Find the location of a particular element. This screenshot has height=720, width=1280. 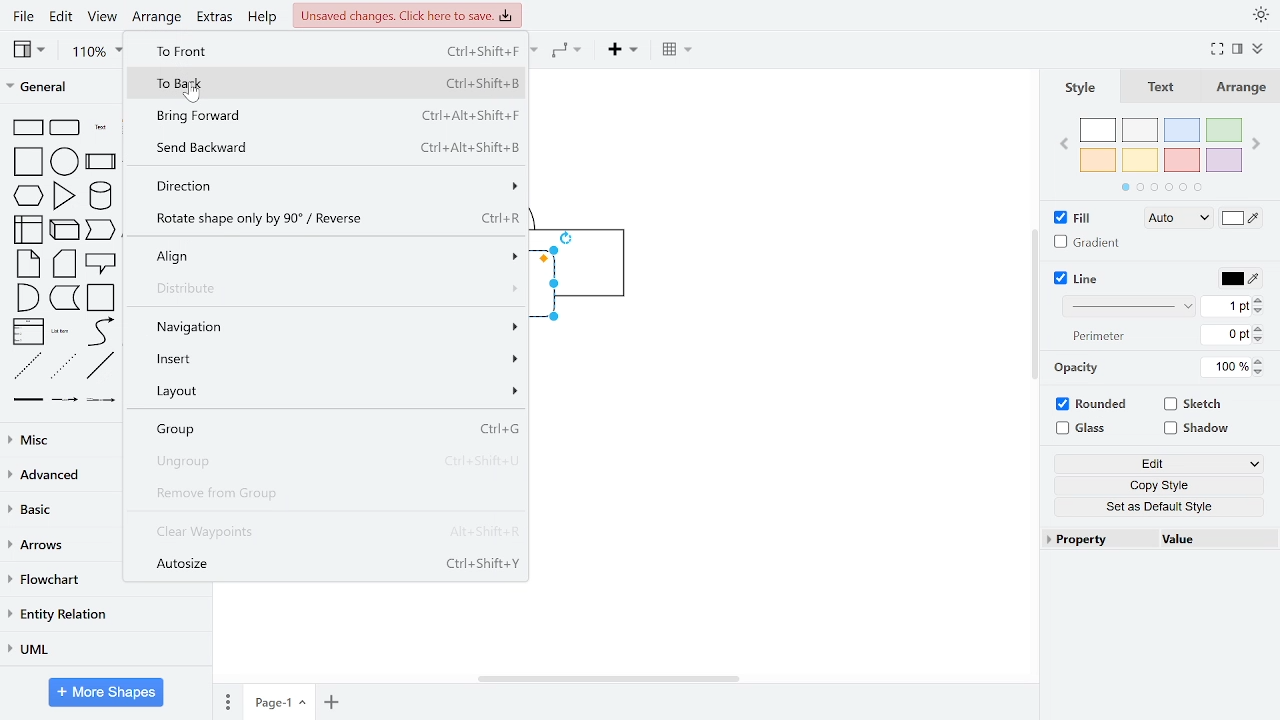

property is located at coordinates (1096, 539).